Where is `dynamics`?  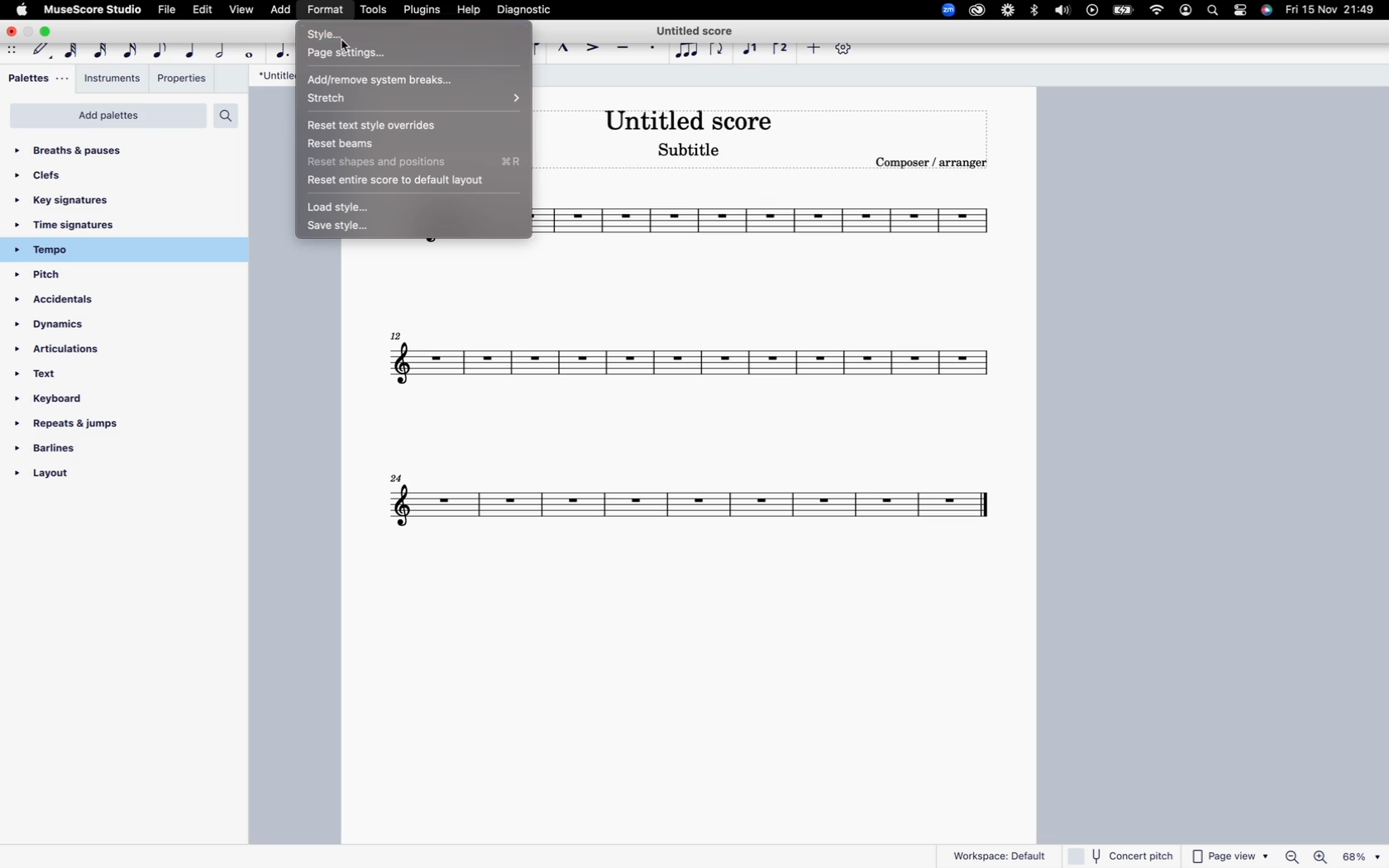
dynamics is located at coordinates (74, 329).